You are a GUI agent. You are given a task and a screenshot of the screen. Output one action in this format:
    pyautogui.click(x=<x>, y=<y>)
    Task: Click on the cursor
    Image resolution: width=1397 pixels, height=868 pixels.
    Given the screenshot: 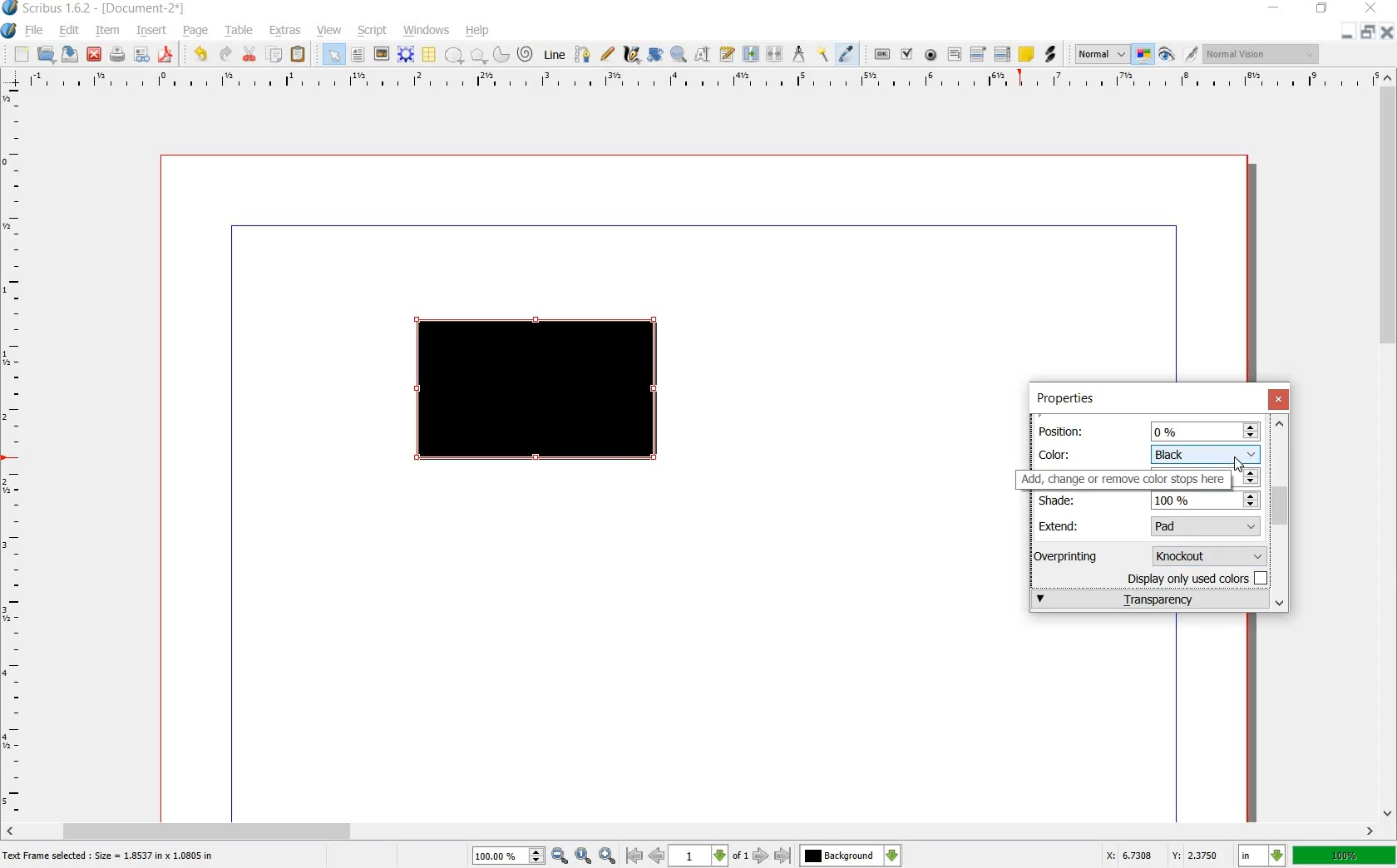 What is the action you would take?
    pyautogui.click(x=1241, y=464)
    